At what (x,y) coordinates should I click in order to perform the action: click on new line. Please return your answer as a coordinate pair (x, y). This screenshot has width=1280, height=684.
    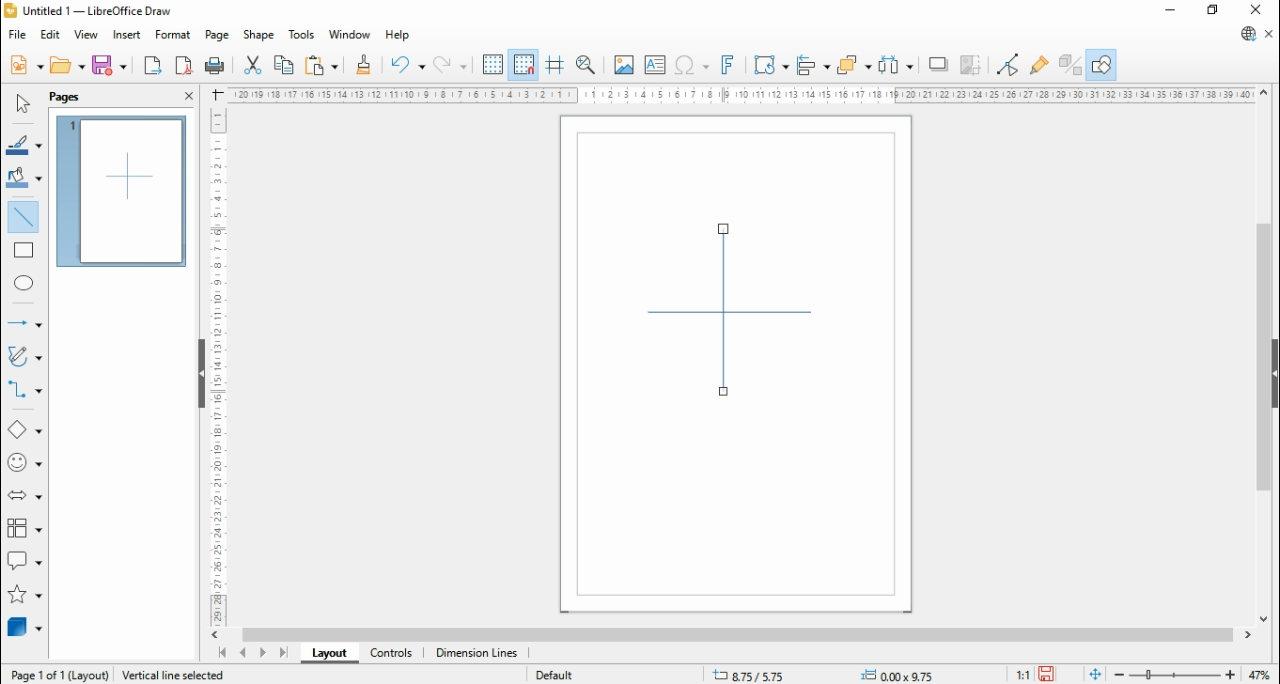
    Looking at the image, I should click on (725, 310).